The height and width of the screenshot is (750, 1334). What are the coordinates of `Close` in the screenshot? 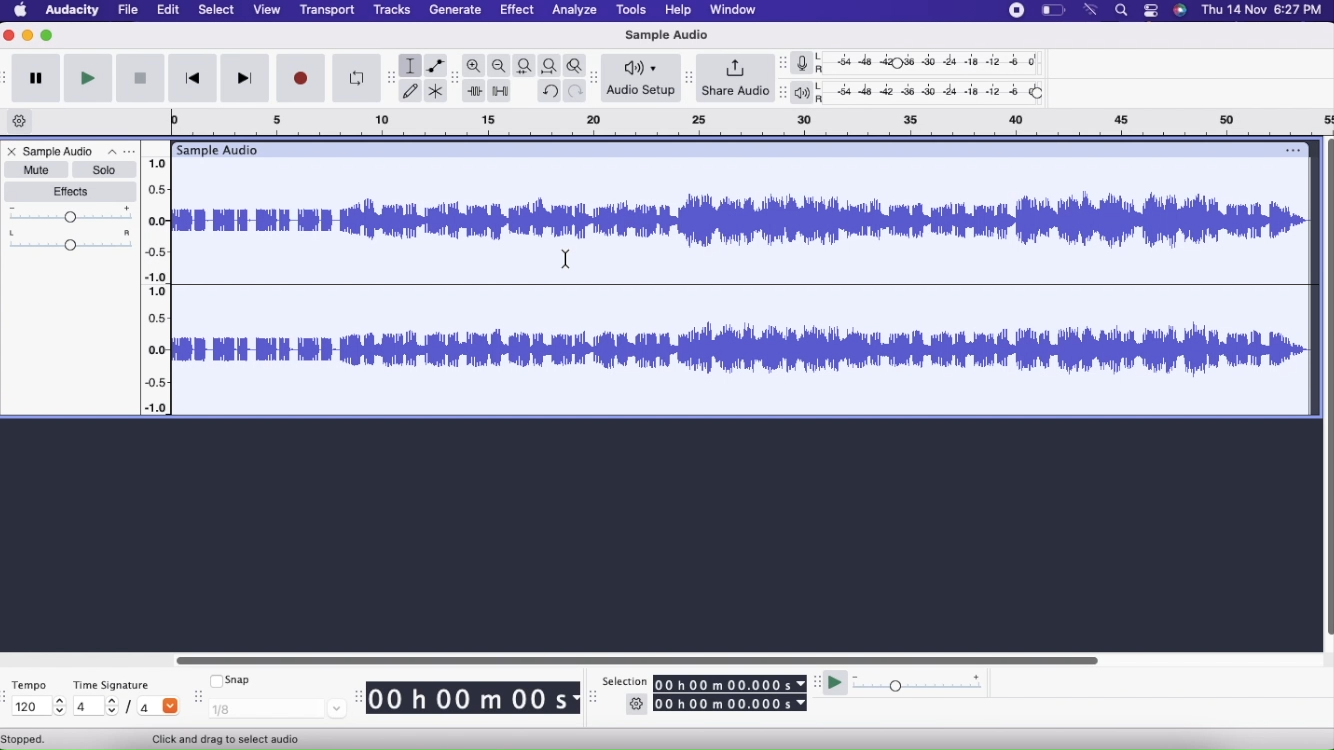 It's located at (10, 151).